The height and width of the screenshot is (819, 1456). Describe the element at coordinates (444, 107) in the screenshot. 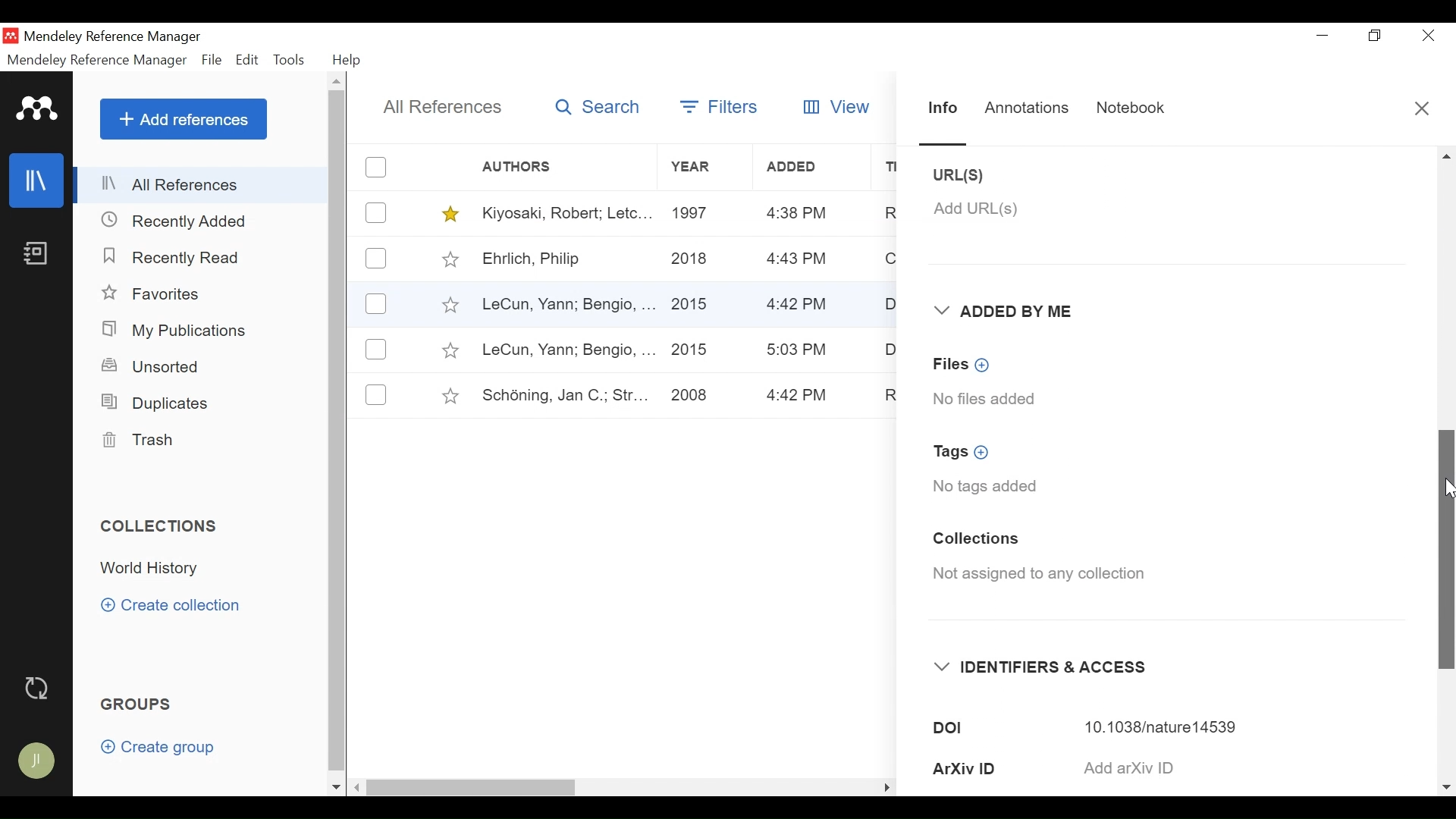

I see `All References` at that location.